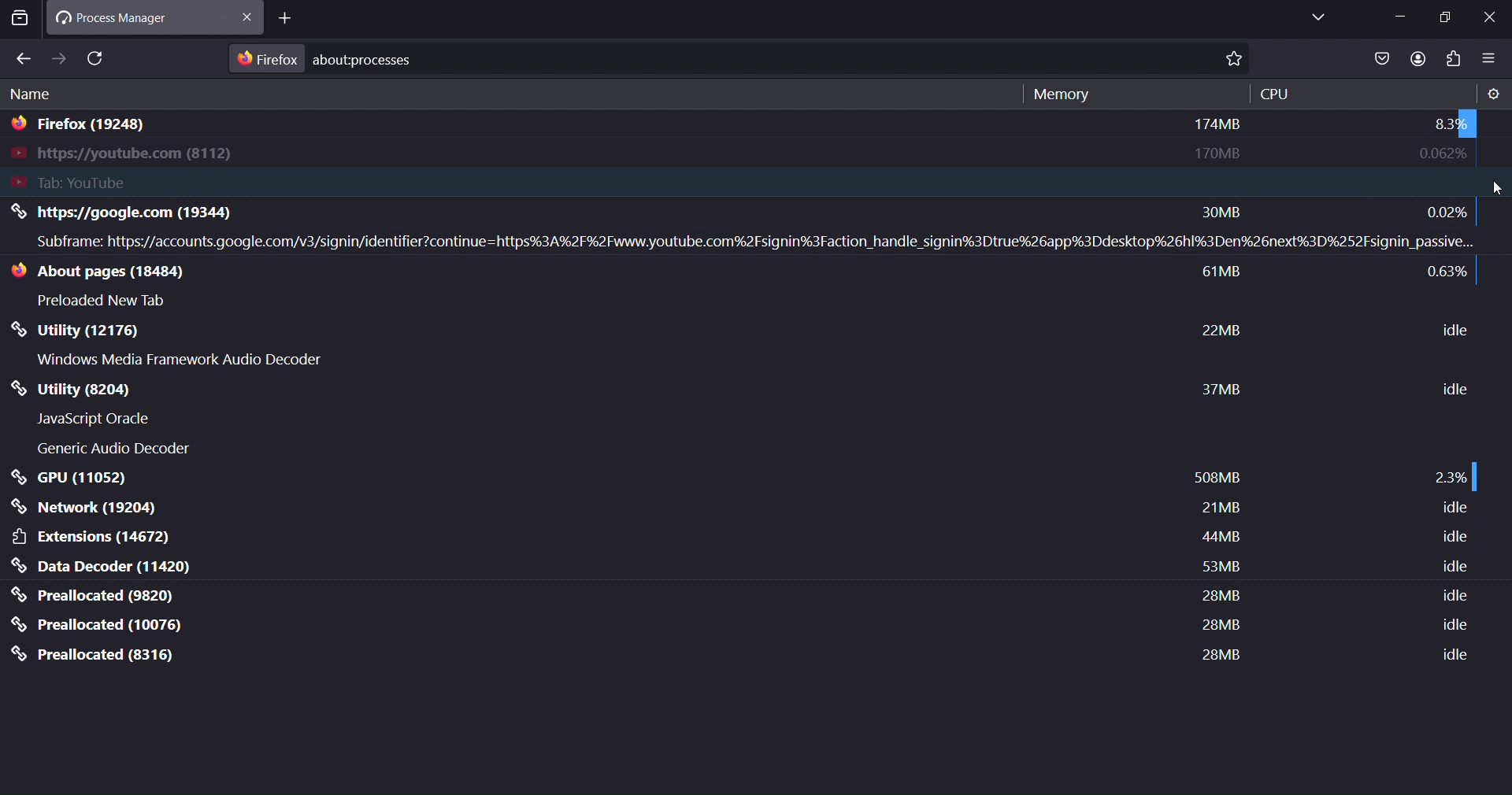 This screenshot has width=1512, height=795. Describe the element at coordinates (287, 15) in the screenshot. I see `close` at that location.